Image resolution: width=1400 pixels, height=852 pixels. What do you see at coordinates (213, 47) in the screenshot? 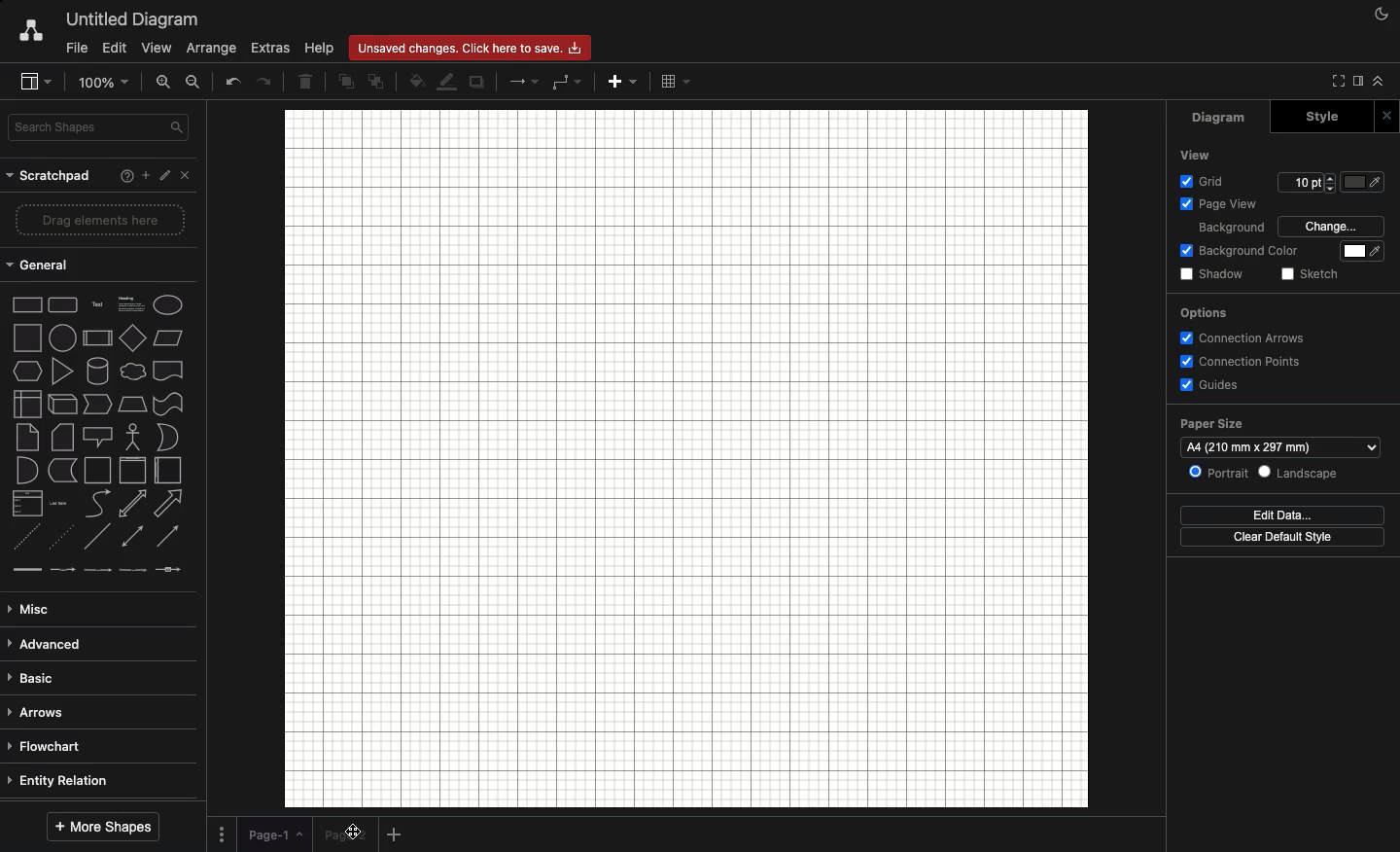
I see `Arrange` at bounding box center [213, 47].